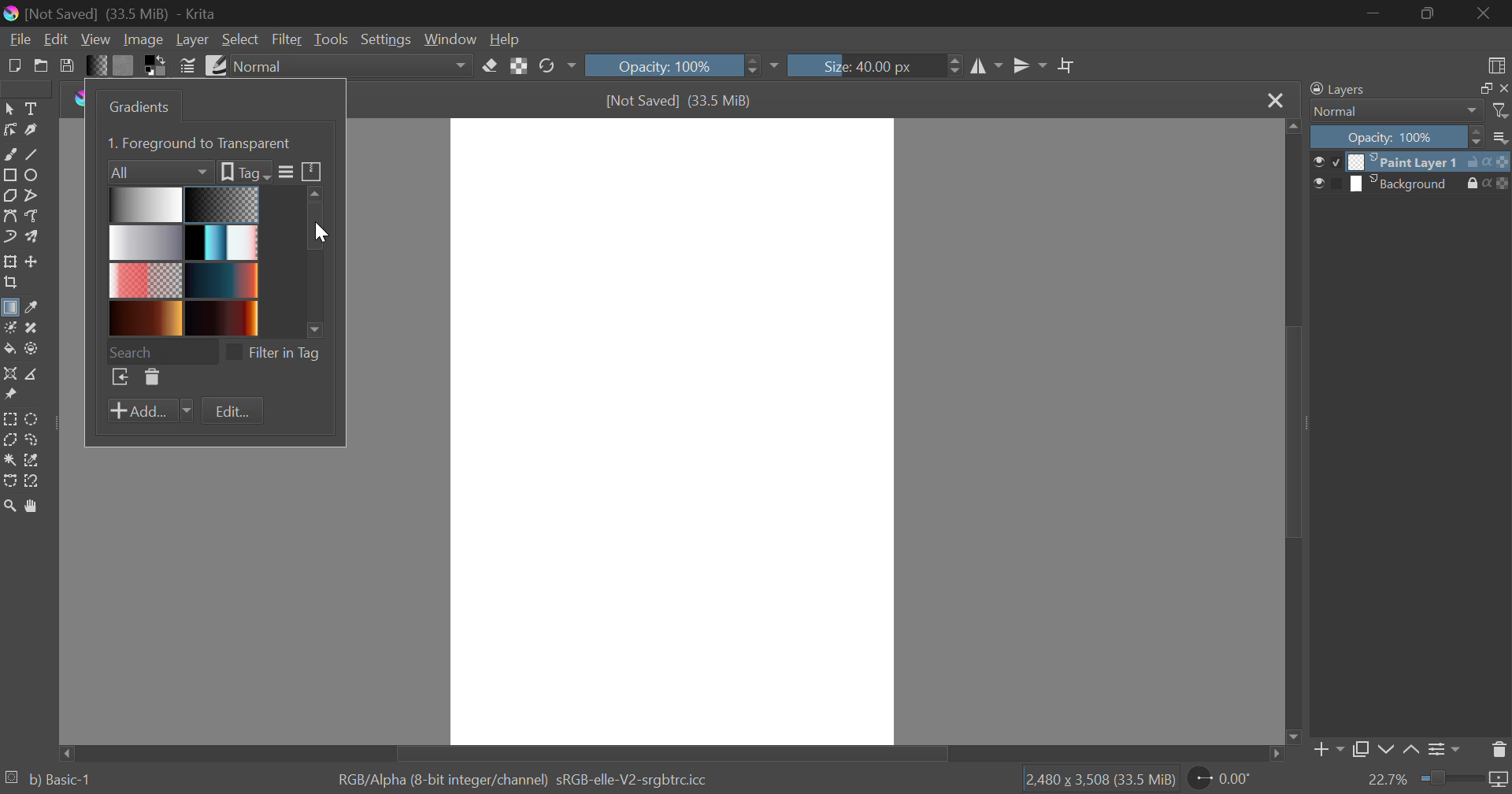  Describe the element at coordinates (192, 39) in the screenshot. I see `Layer` at that location.